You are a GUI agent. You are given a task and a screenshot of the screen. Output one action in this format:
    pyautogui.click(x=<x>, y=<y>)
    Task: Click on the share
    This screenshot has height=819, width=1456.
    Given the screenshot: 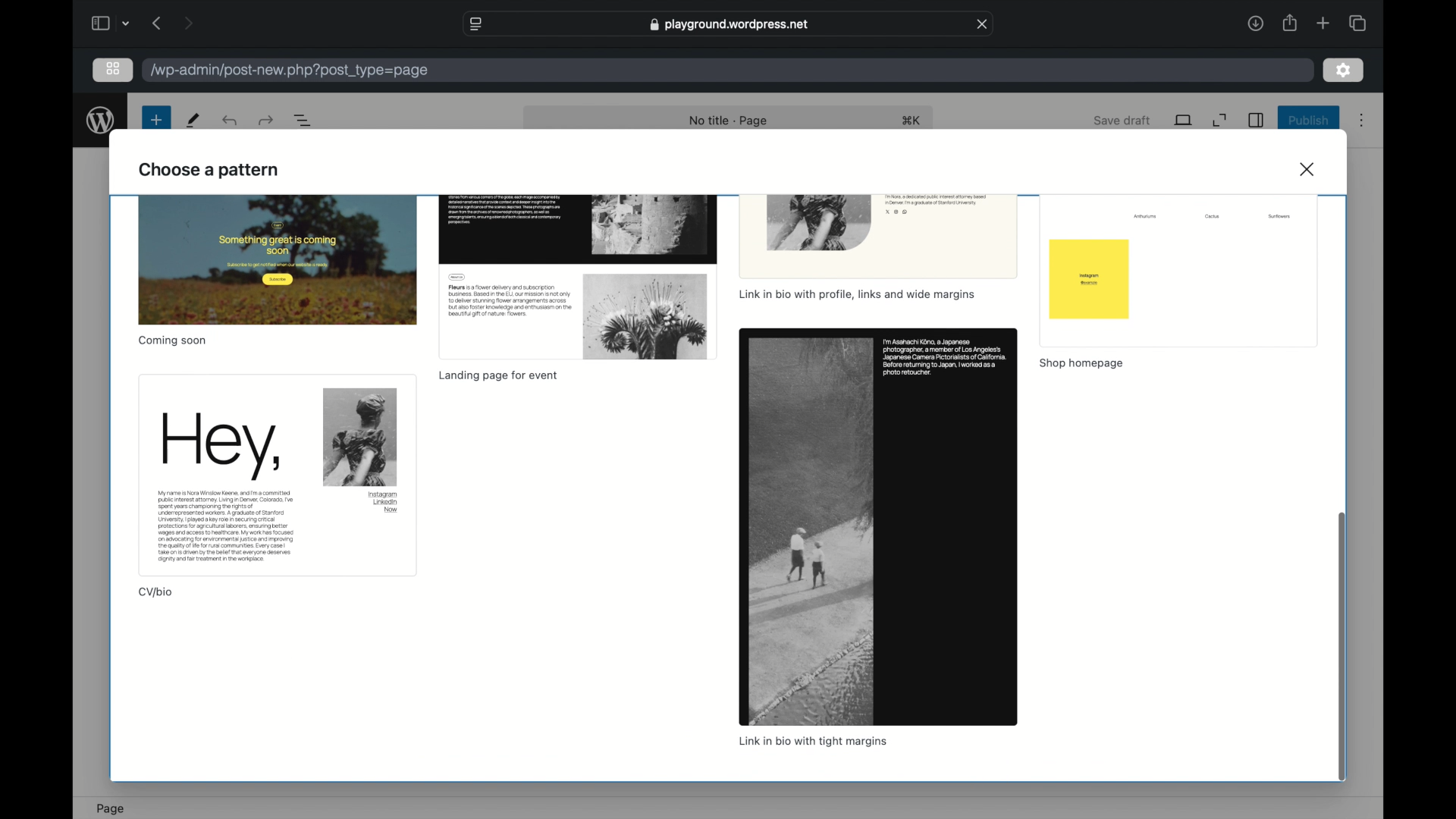 What is the action you would take?
    pyautogui.click(x=1288, y=23)
    